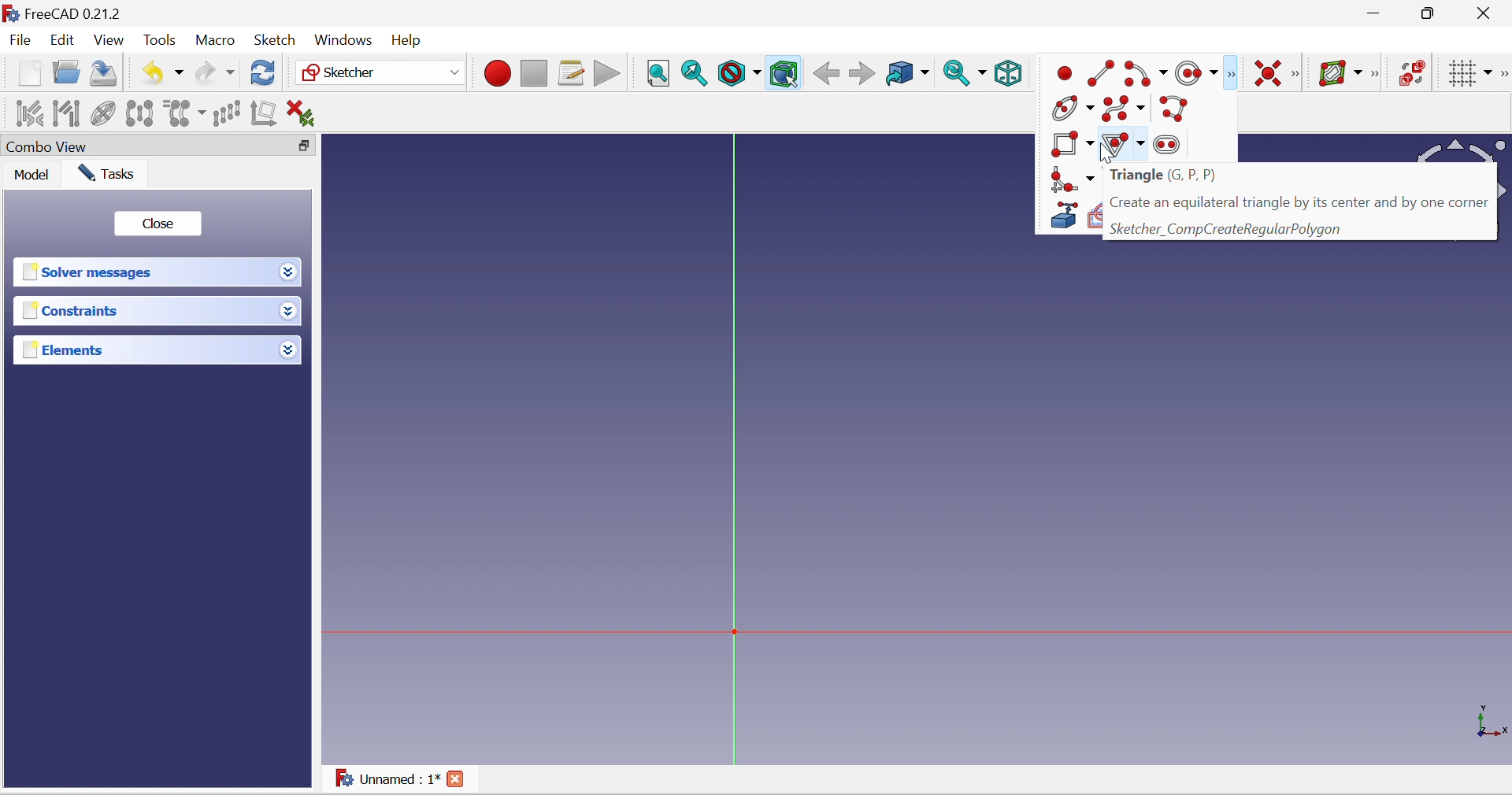 The image size is (1512, 795). Describe the element at coordinates (1488, 12) in the screenshot. I see `Close` at that location.